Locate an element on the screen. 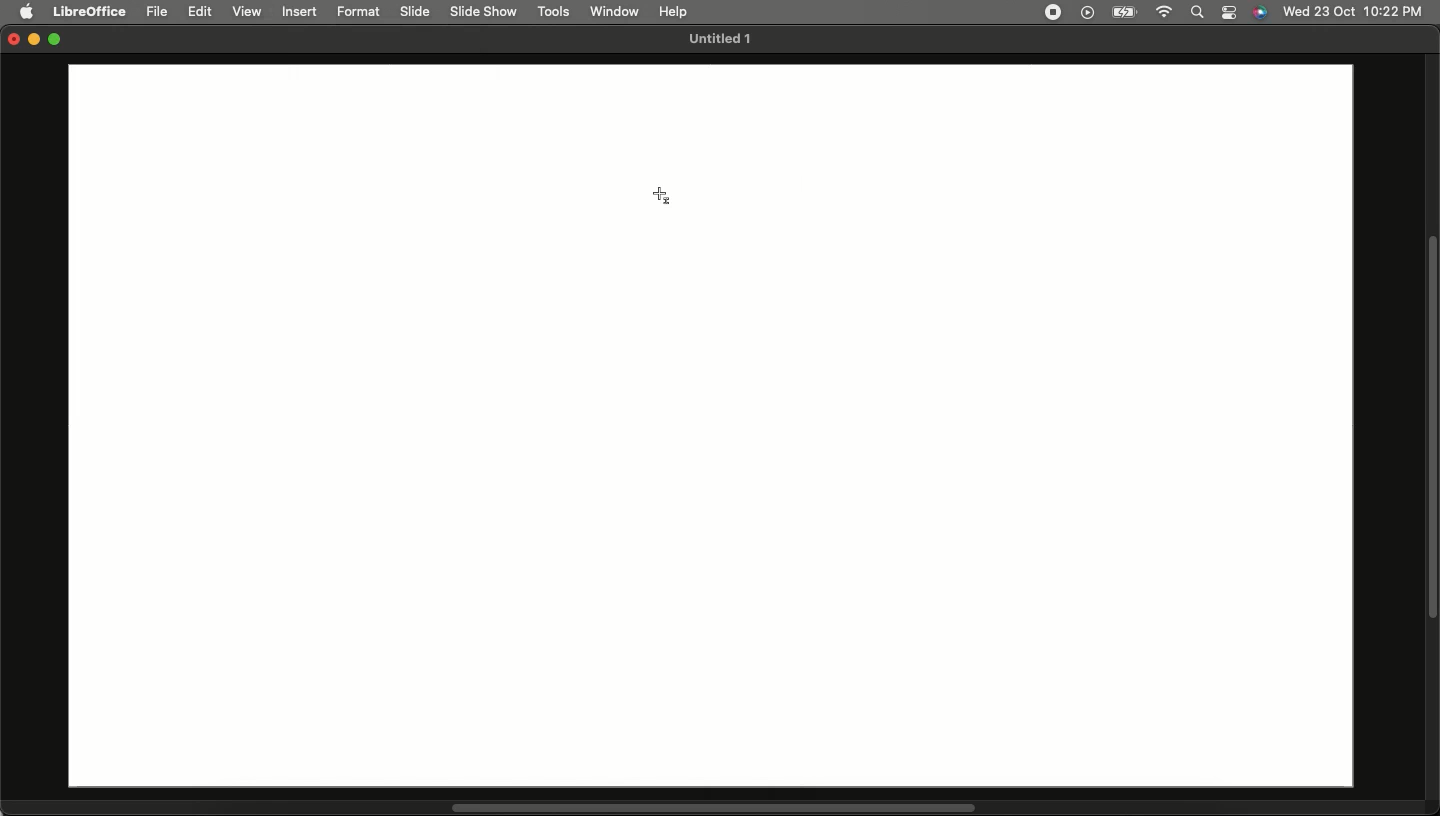  Untitled 1 is located at coordinates (717, 40).